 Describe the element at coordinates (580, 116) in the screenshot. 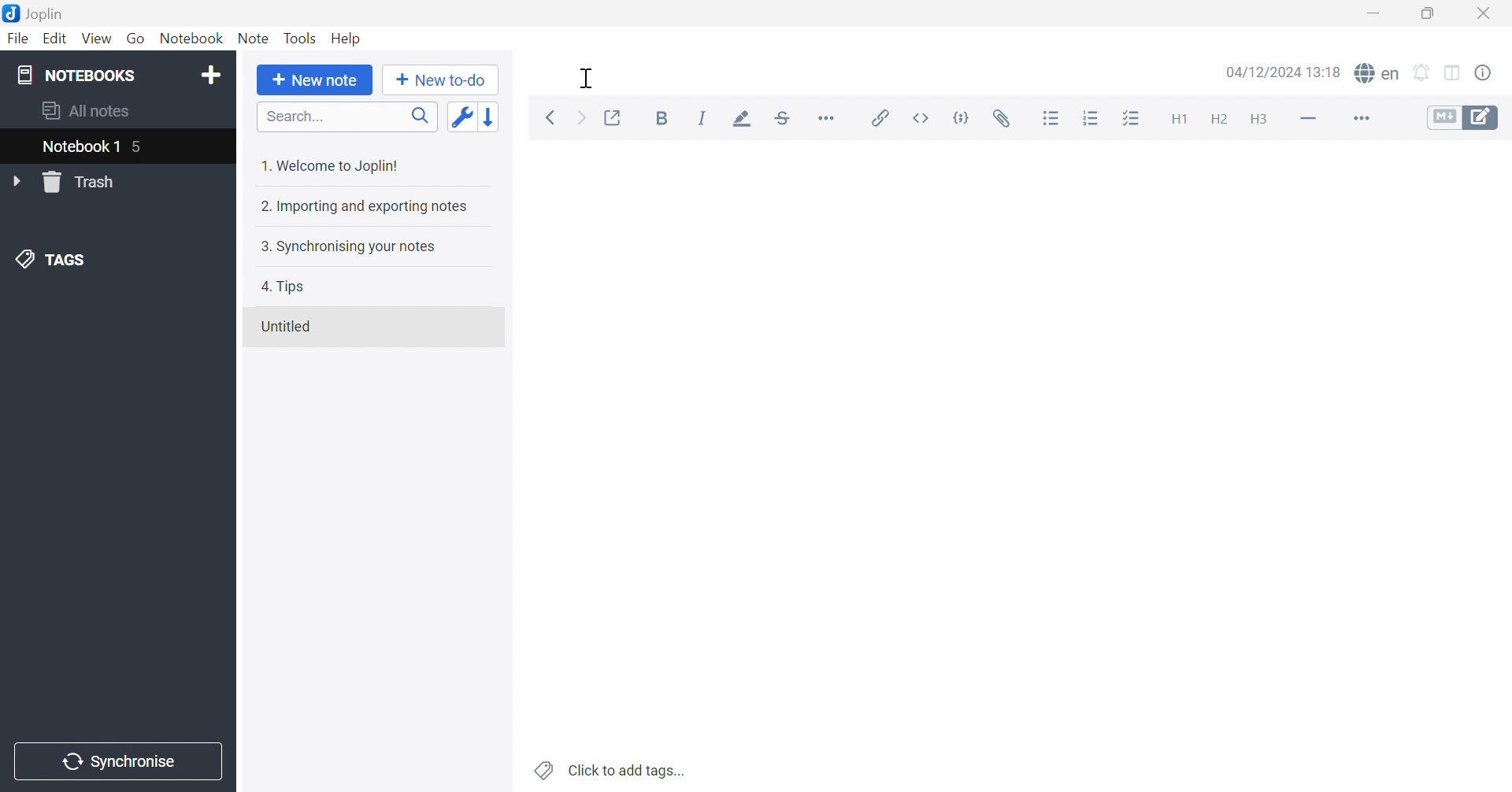

I see `Forward` at that location.